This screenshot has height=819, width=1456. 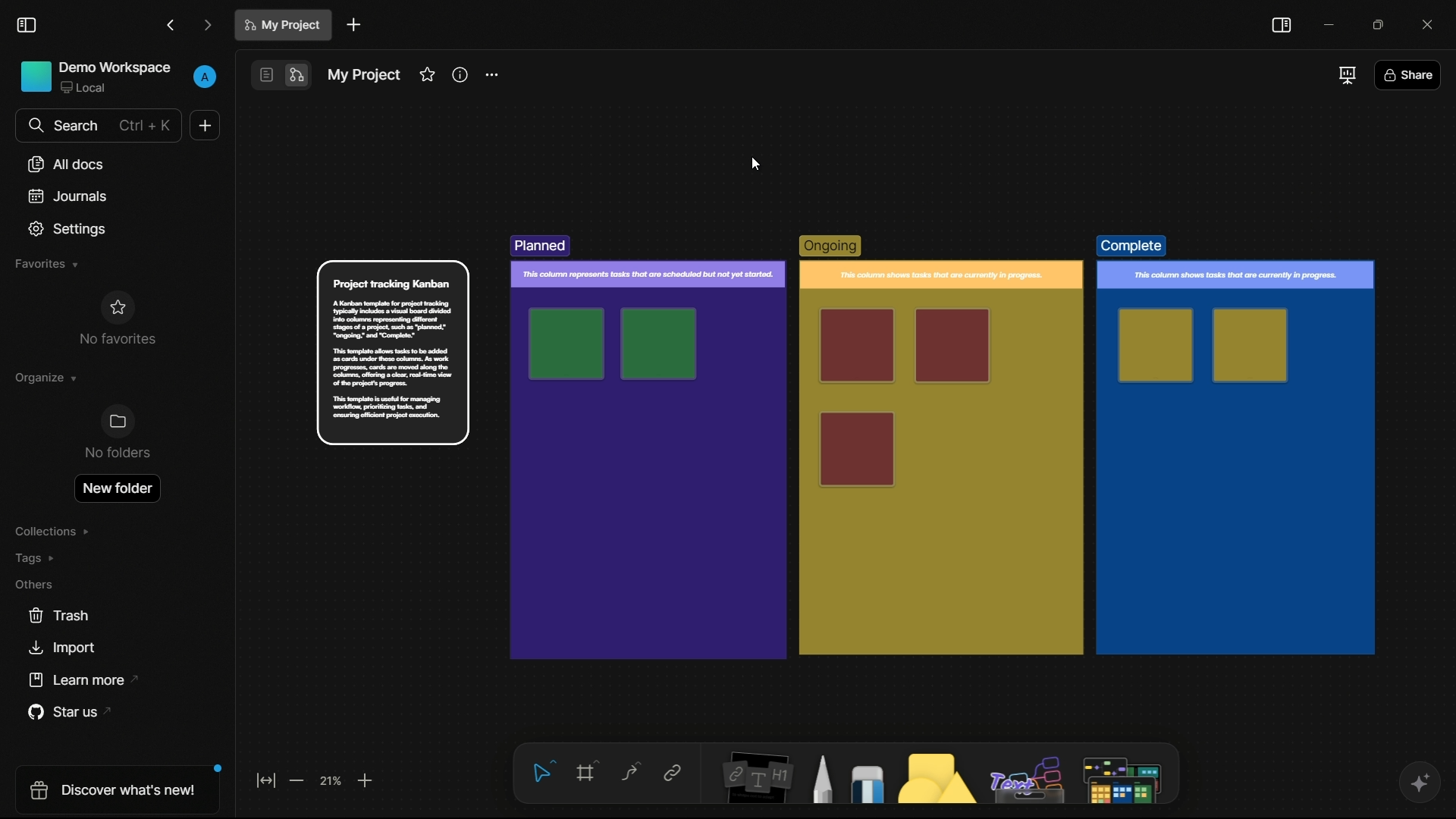 What do you see at coordinates (868, 783) in the screenshot?
I see `eraser` at bounding box center [868, 783].